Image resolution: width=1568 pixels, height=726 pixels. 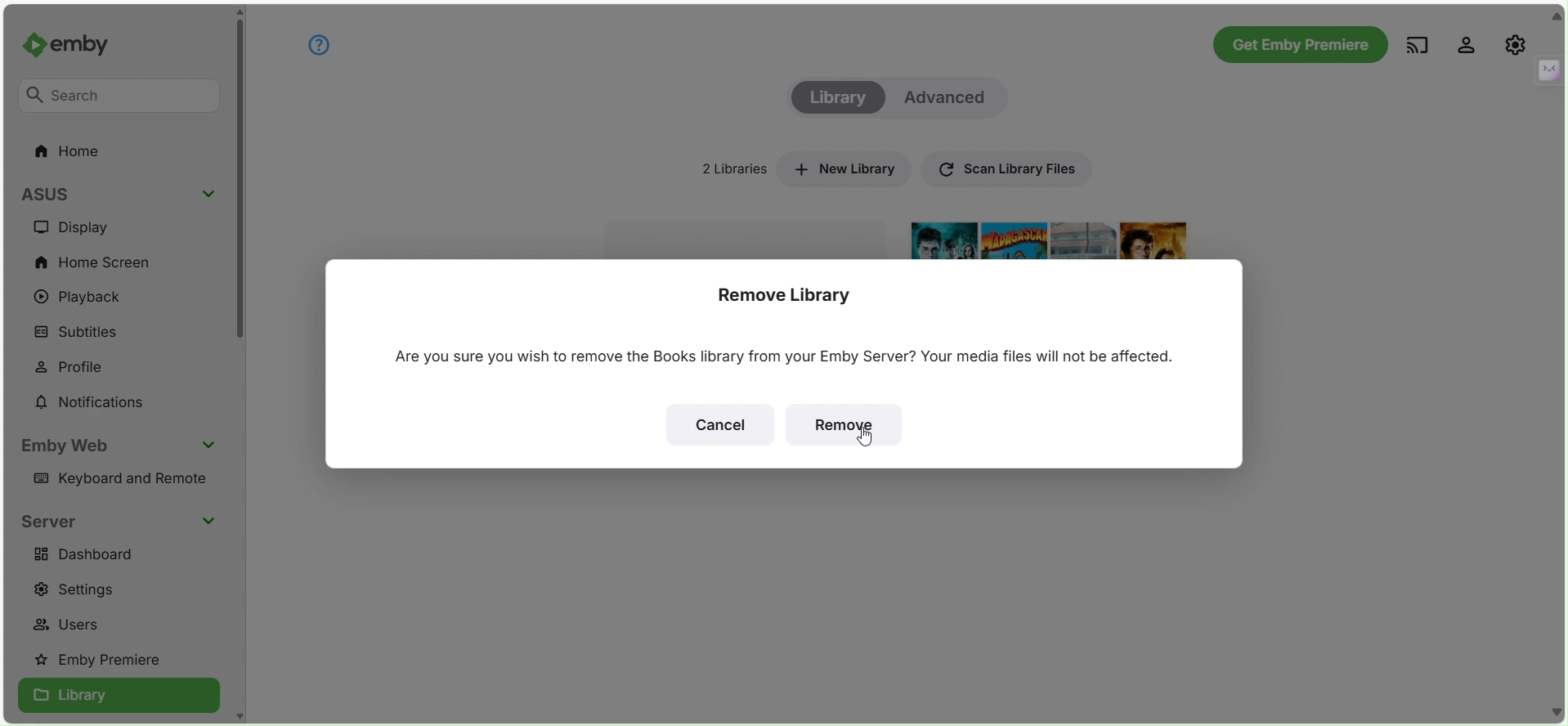 What do you see at coordinates (1557, 16) in the screenshot?
I see `collapse` at bounding box center [1557, 16].